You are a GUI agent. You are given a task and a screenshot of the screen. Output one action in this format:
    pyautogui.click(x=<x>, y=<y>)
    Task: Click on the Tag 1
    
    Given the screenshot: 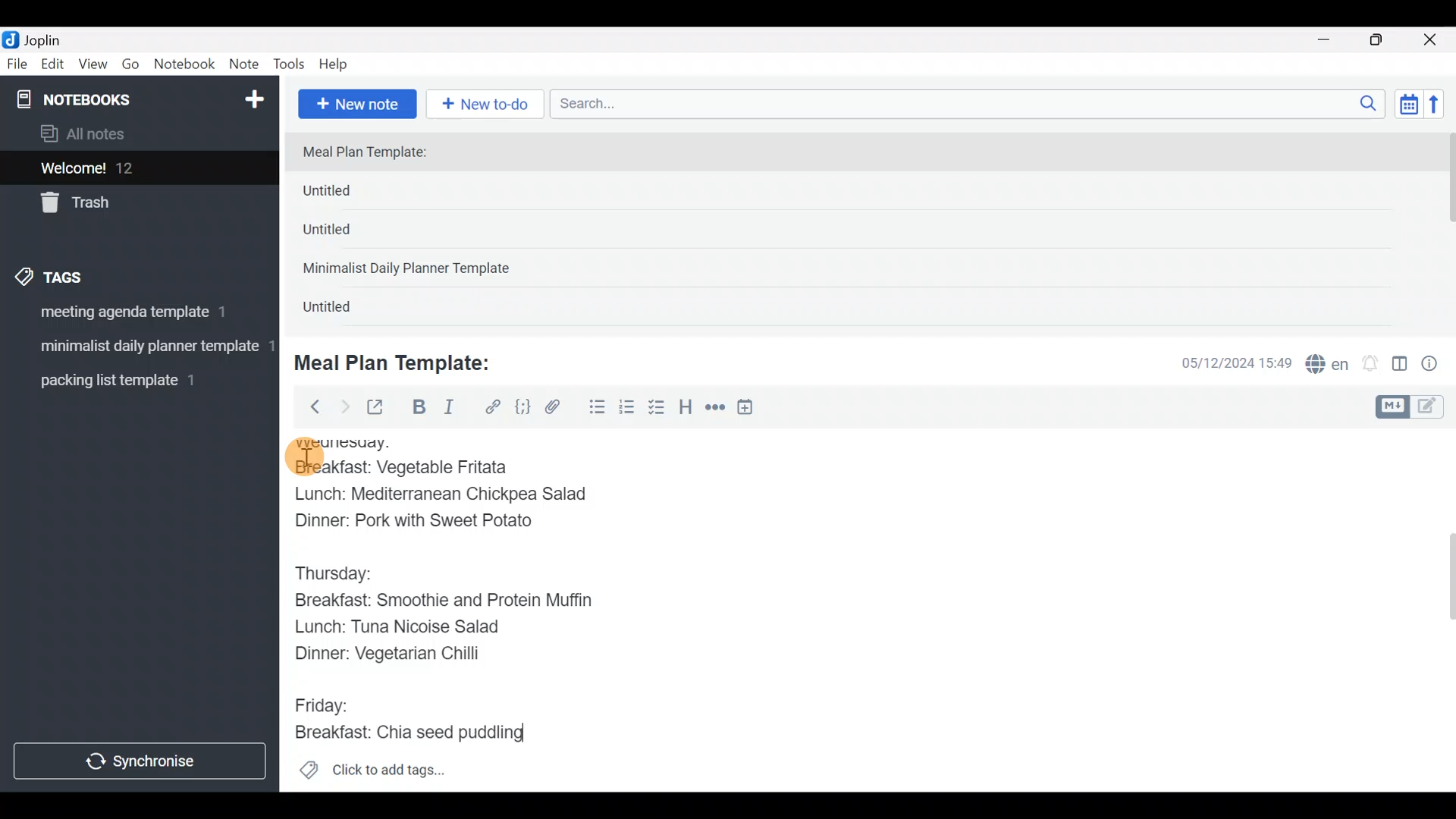 What is the action you would take?
    pyautogui.click(x=135, y=316)
    